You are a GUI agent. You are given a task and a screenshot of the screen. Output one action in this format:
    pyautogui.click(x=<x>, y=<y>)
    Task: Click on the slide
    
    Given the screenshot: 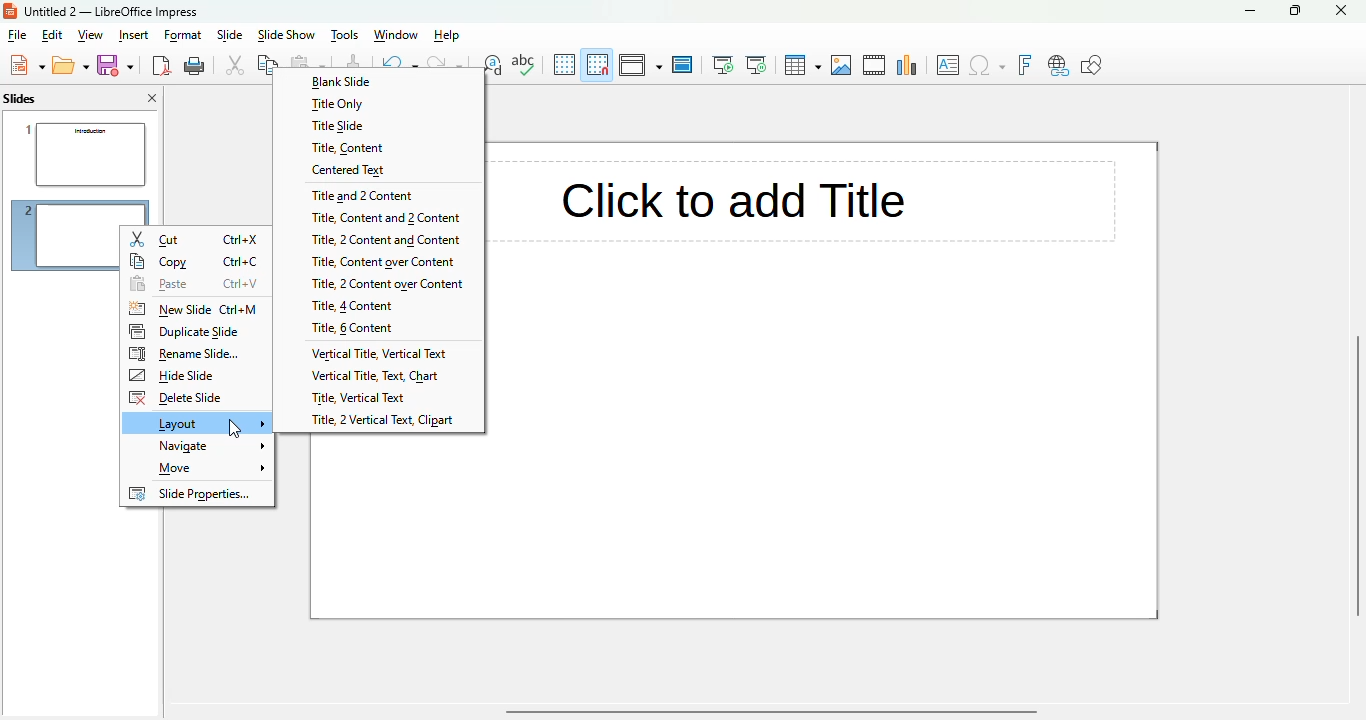 What is the action you would take?
    pyautogui.click(x=230, y=34)
    